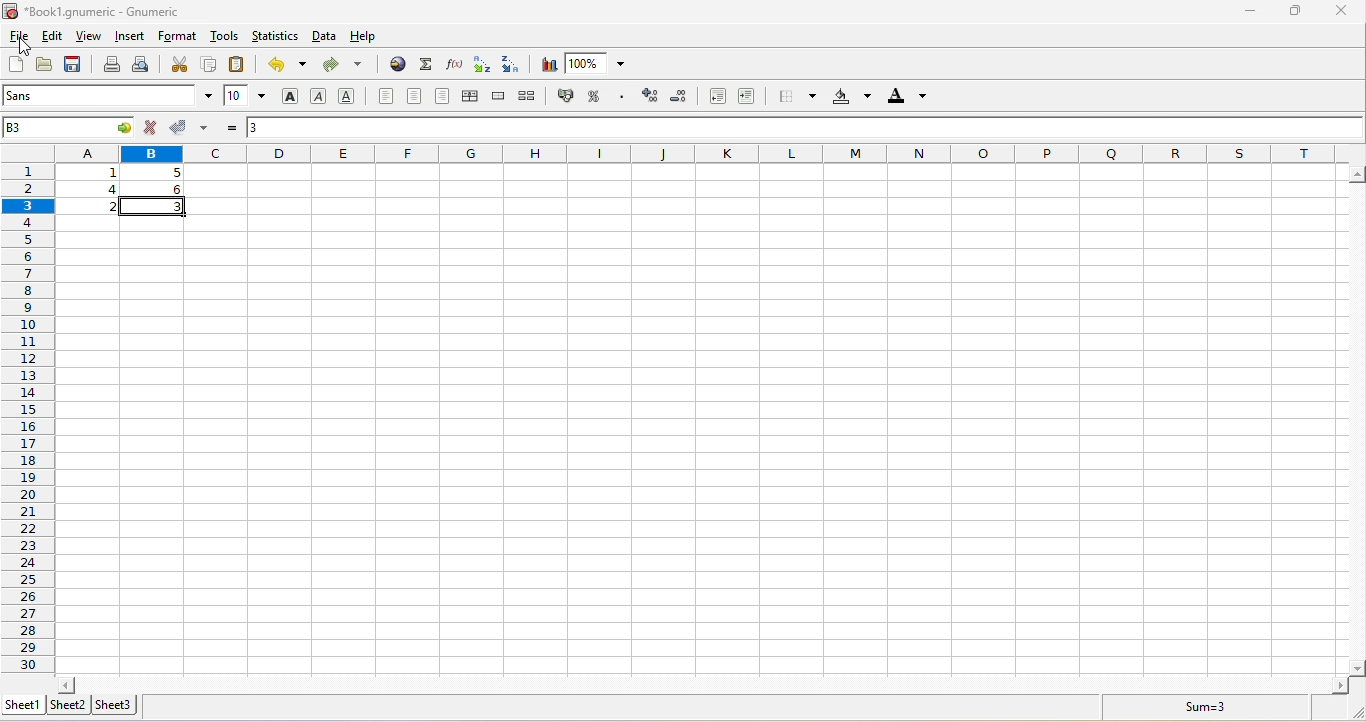 This screenshot has width=1366, height=722. I want to click on help, so click(364, 37).